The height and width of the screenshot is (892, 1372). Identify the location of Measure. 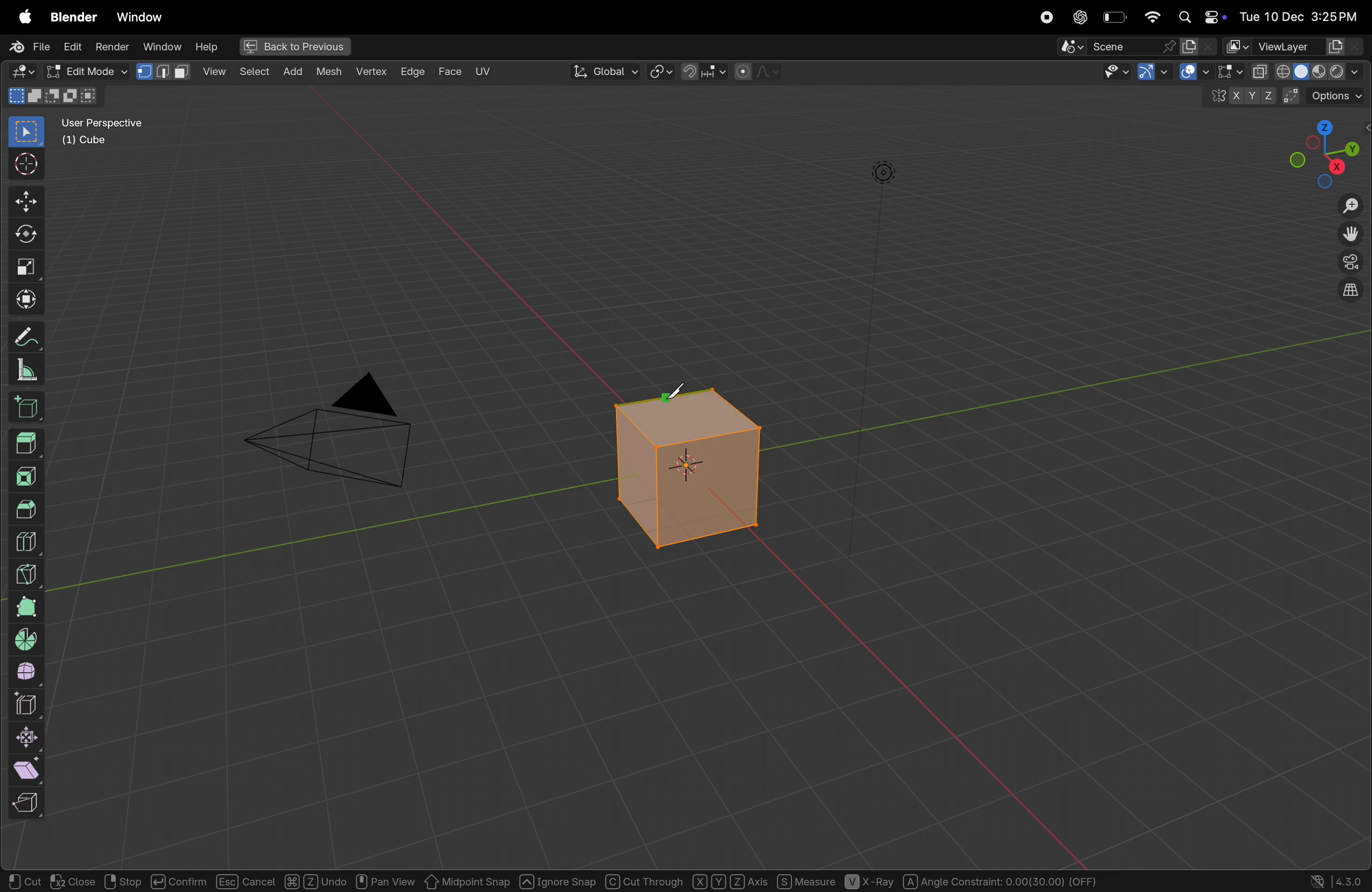
(805, 880).